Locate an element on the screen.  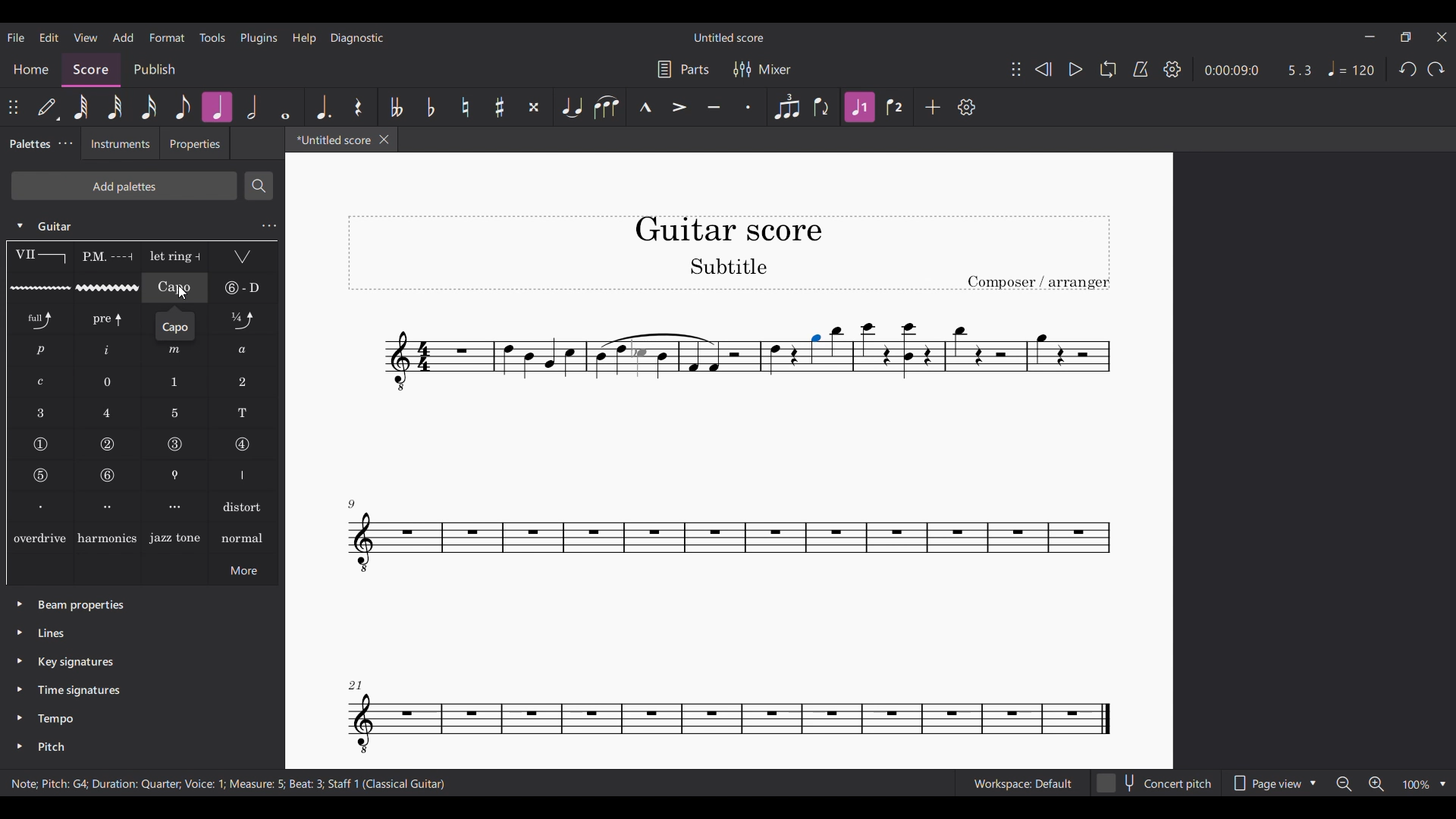
Publish is located at coordinates (155, 71).